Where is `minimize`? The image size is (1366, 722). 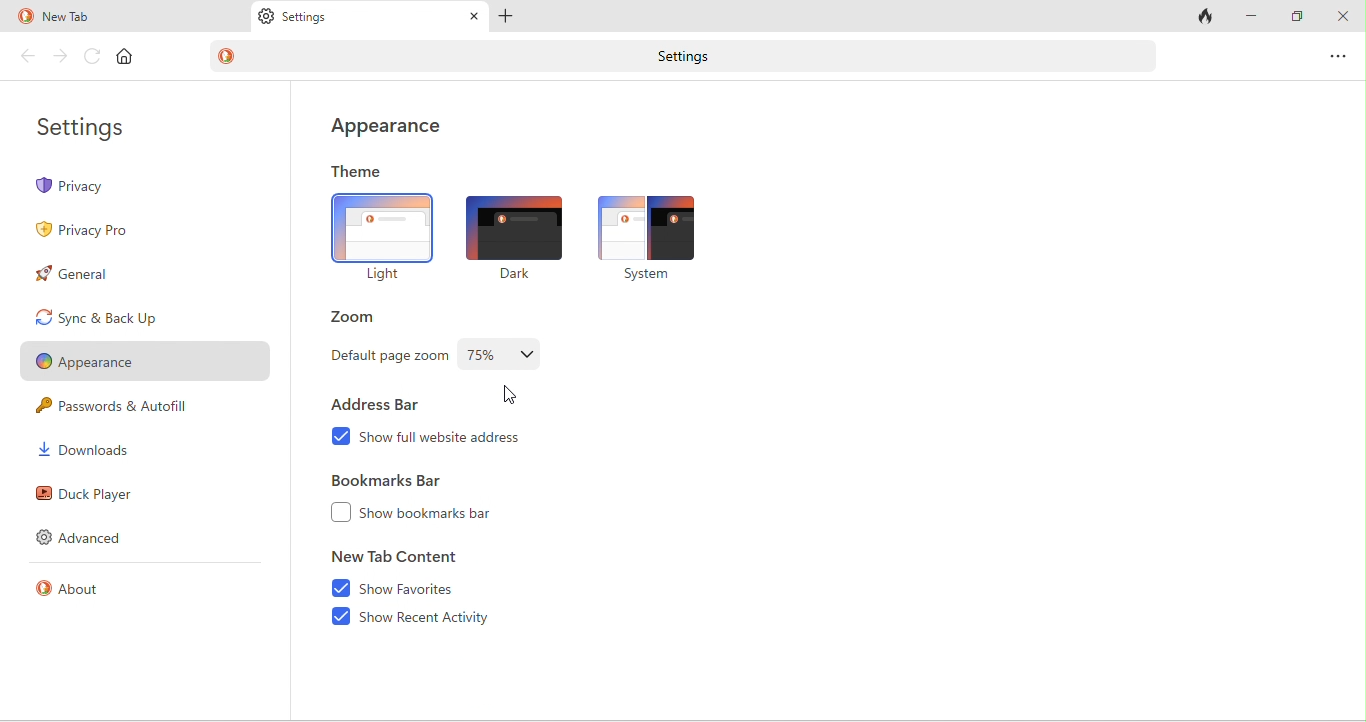
minimize is located at coordinates (1253, 15).